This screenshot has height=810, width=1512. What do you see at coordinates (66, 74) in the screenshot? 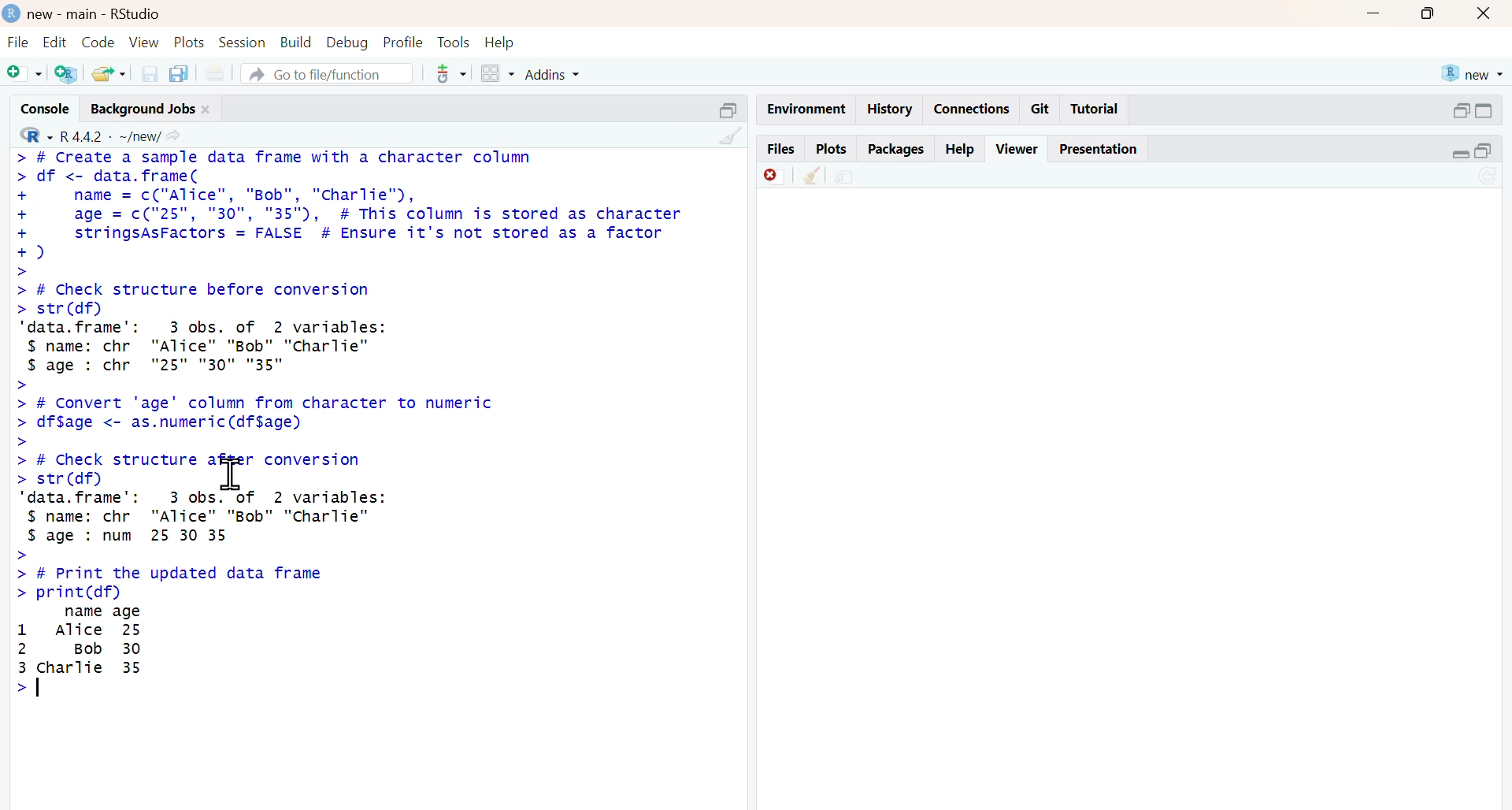
I see `add R file` at bounding box center [66, 74].